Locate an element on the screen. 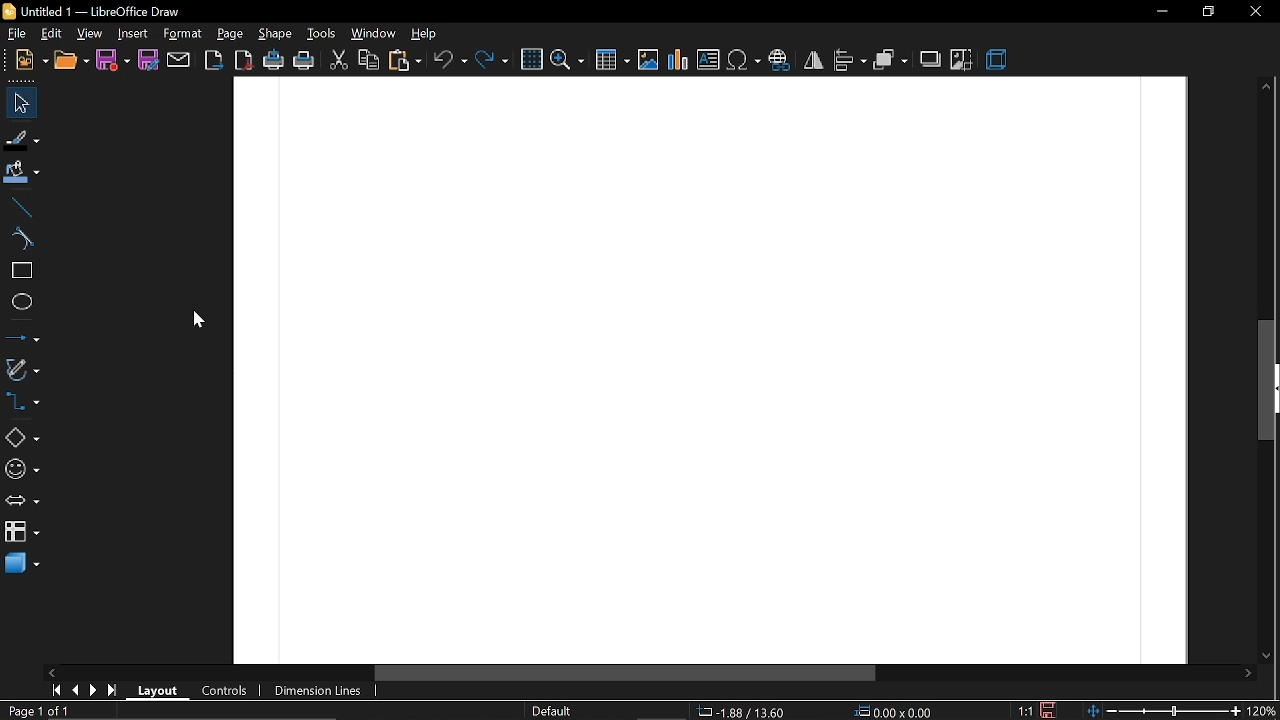 This screenshot has height=720, width=1280. save is located at coordinates (112, 60).